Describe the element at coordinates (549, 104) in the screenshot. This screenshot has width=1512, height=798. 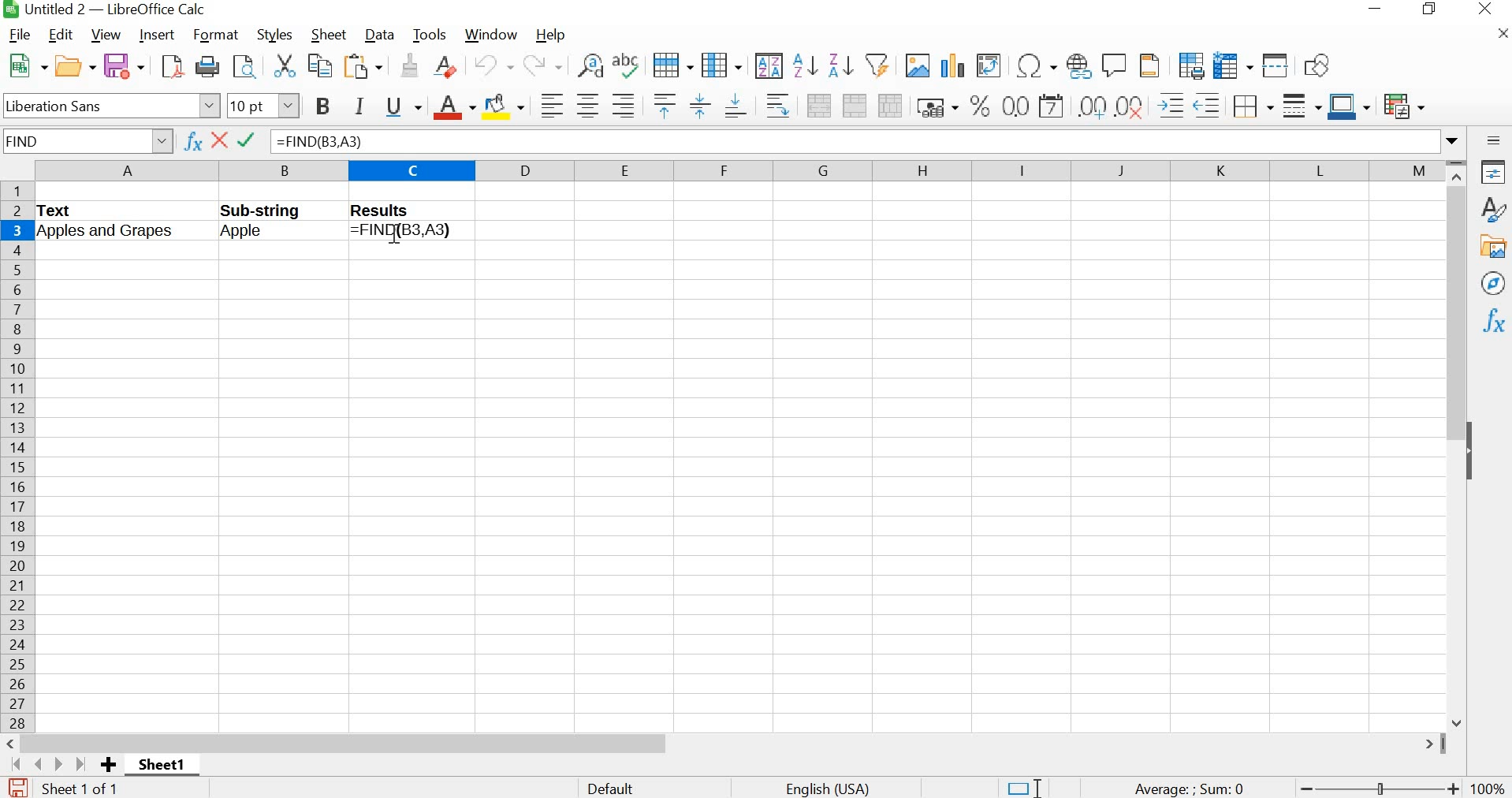
I see `align left` at that location.